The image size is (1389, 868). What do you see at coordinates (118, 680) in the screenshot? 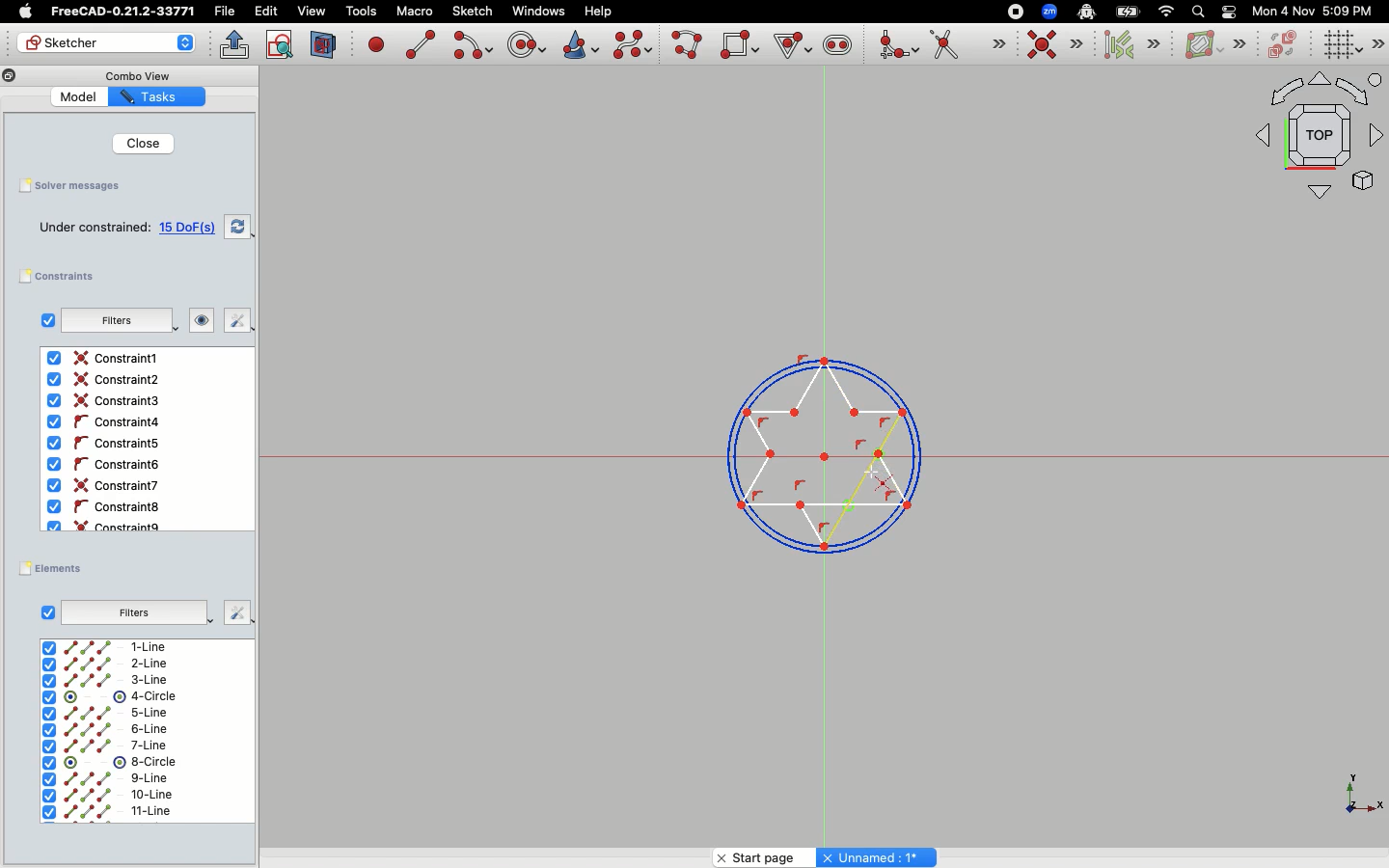
I see `3-Line` at bounding box center [118, 680].